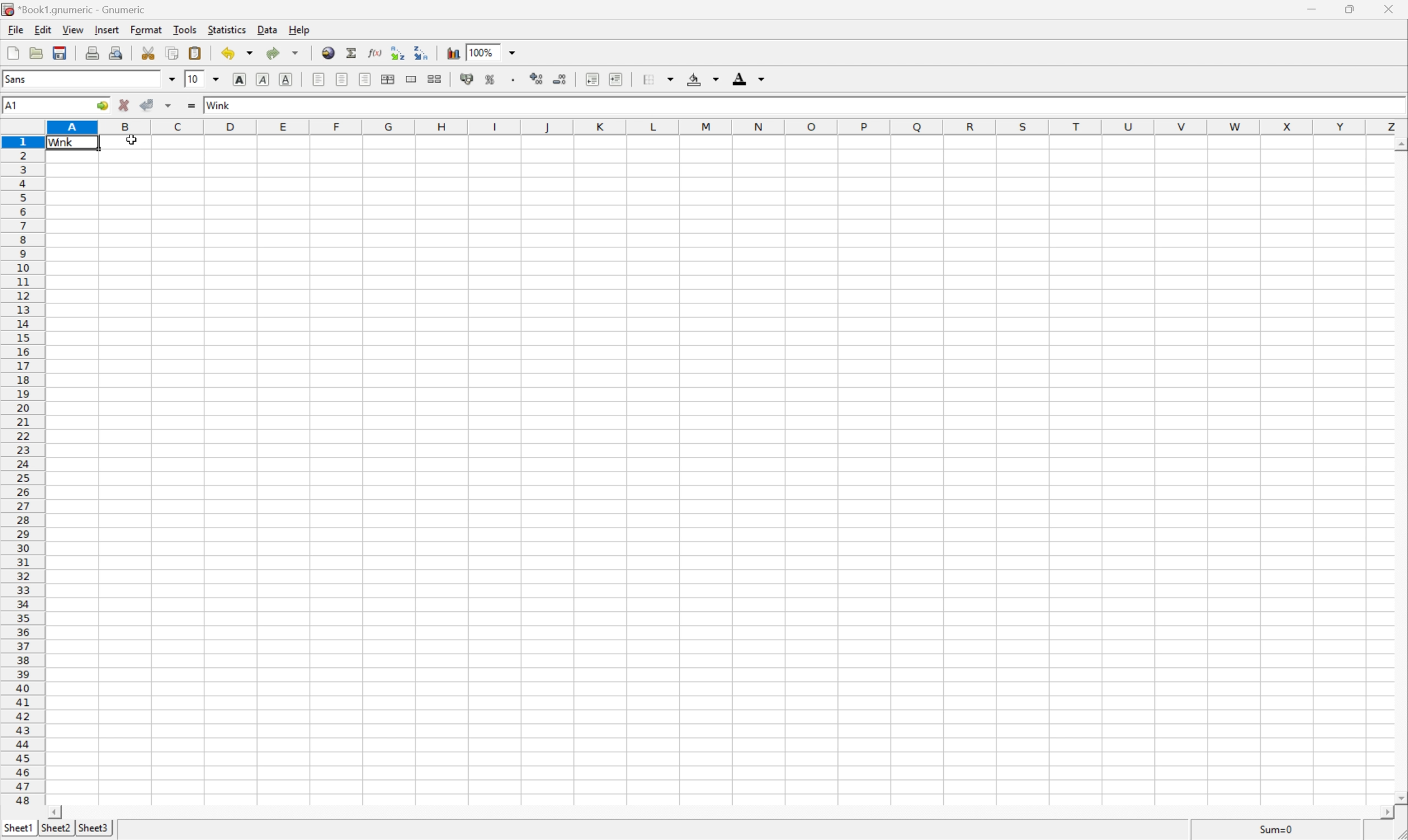 Image resolution: width=1408 pixels, height=840 pixels. Describe the element at coordinates (101, 106) in the screenshot. I see `go to` at that location.